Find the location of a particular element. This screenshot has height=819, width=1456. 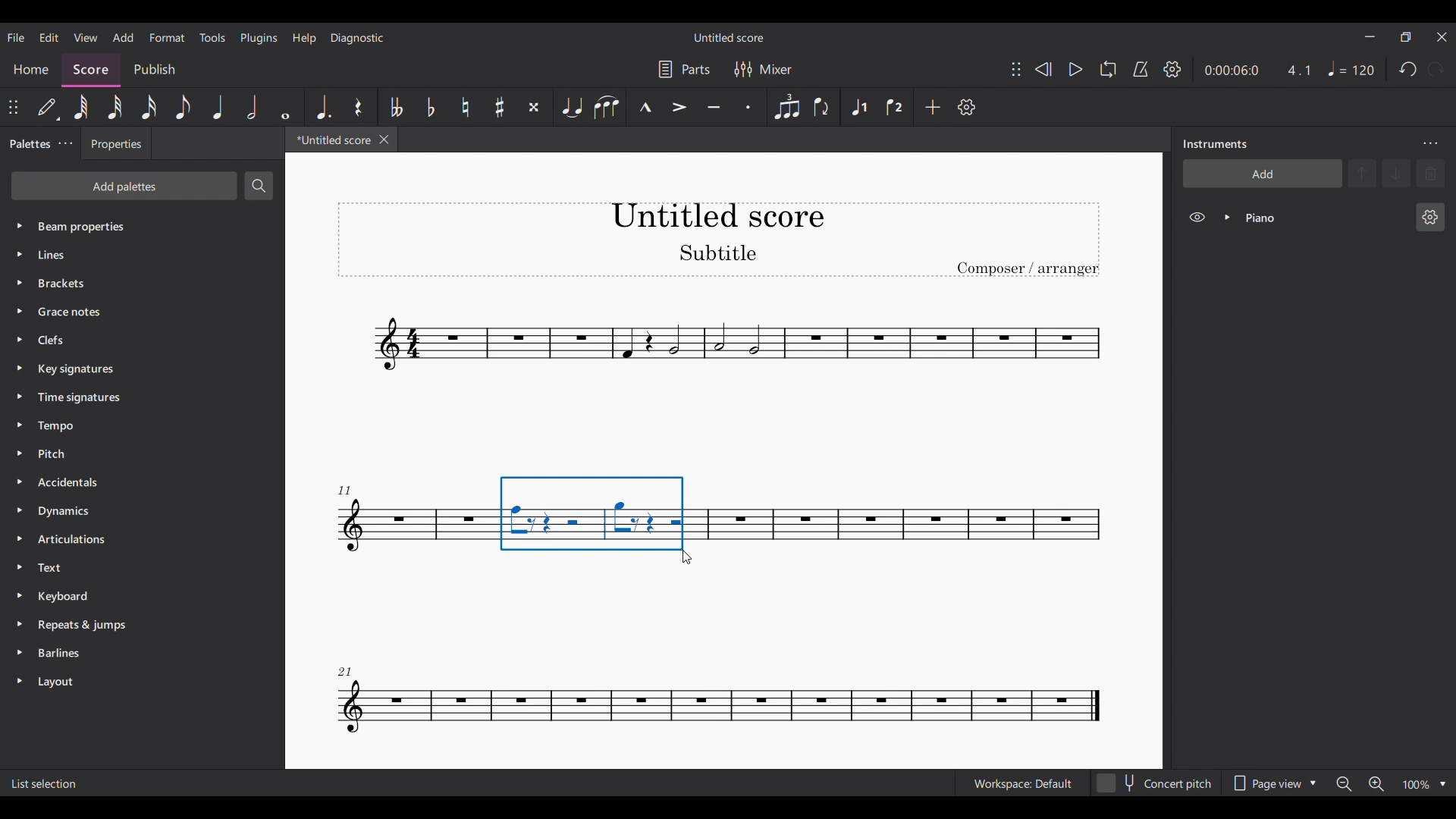

Keyboard is located at coordinates (130, 595).